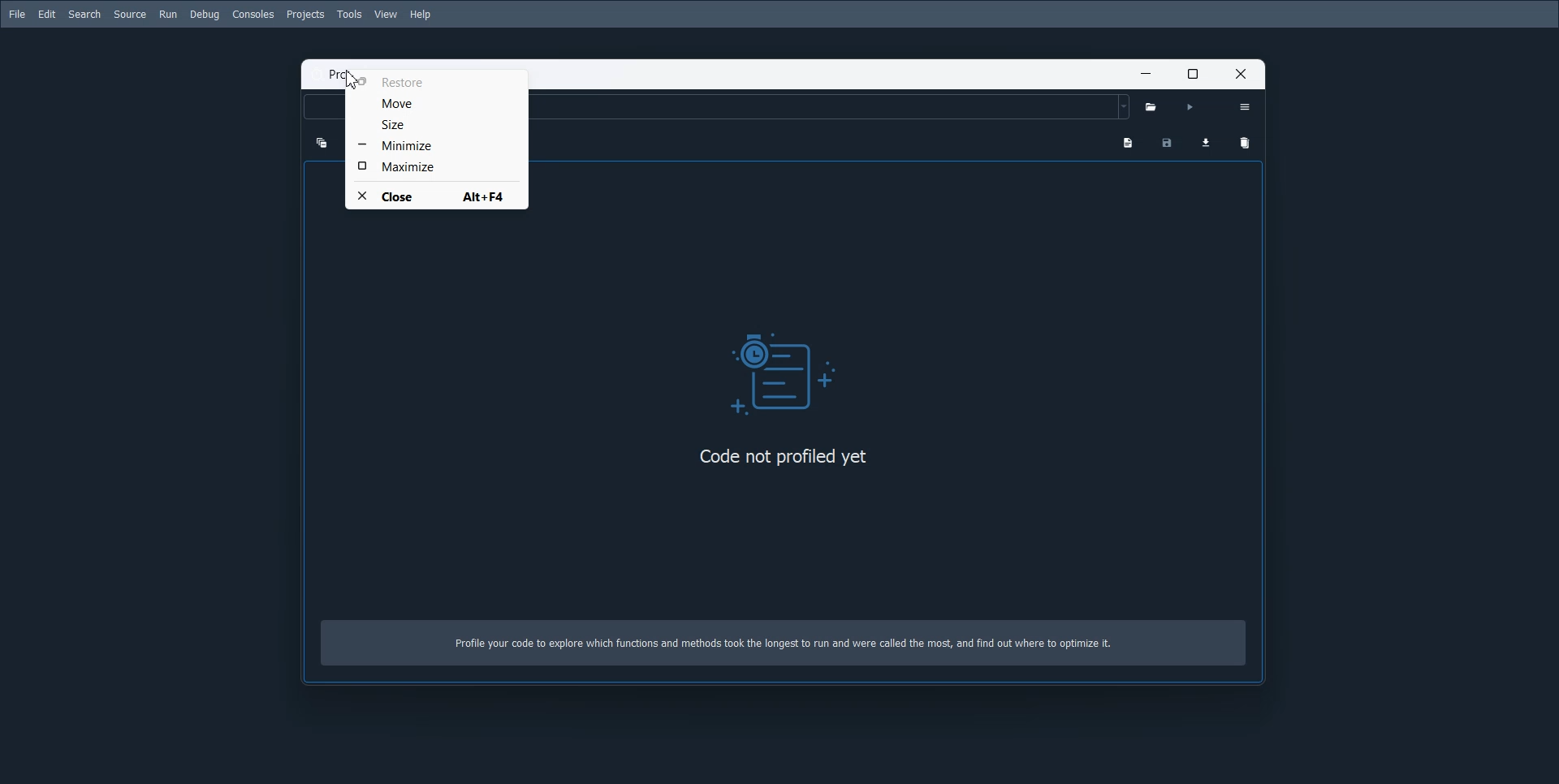 This screenshot has height=784, width=1559. Describe the element at coordinates (304, 15) in the screenshot. I see `Projects` at that location.